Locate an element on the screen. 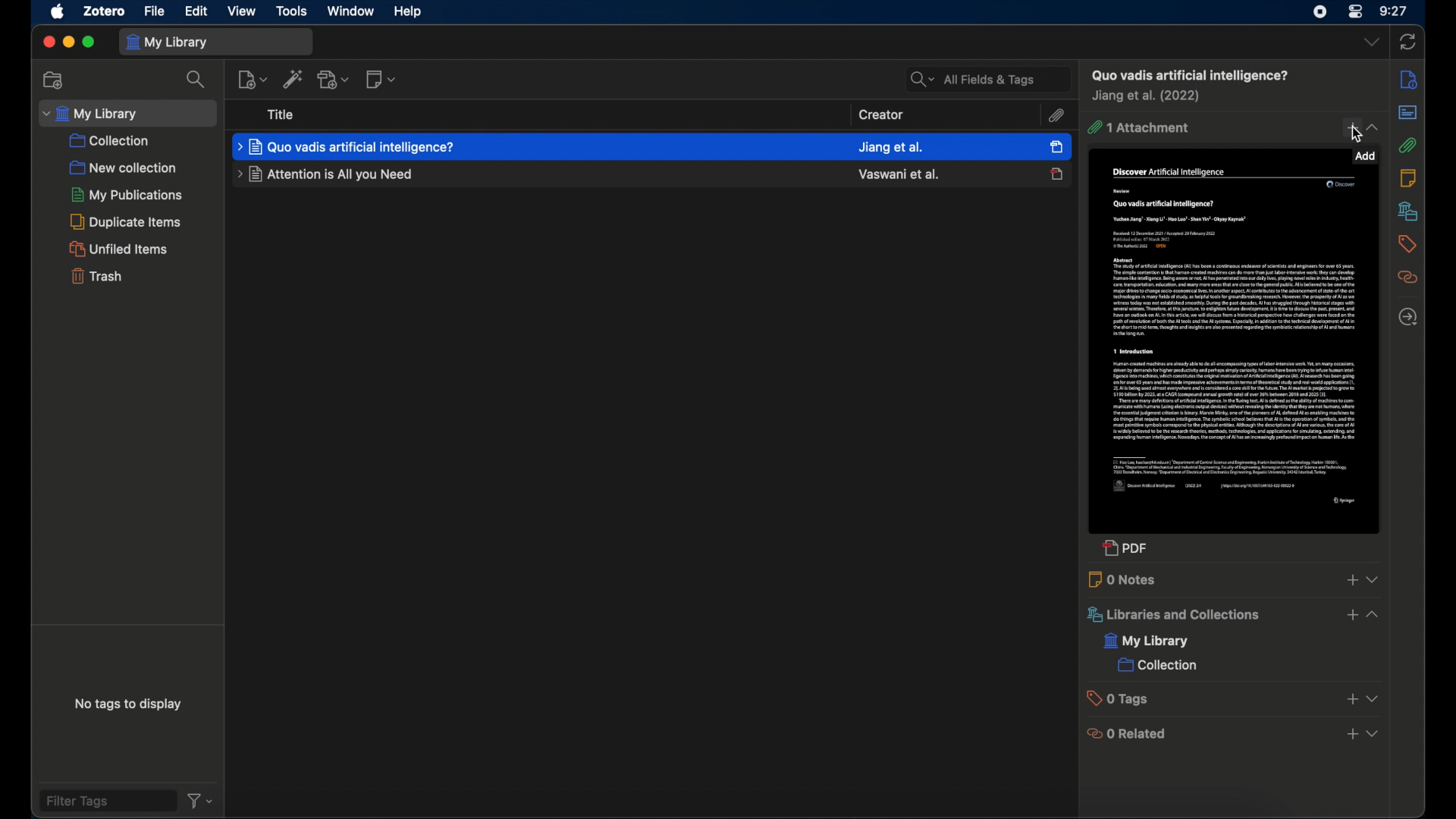 This screenshot has height=819, width=1456. time is located at coordinates (1394, 11).